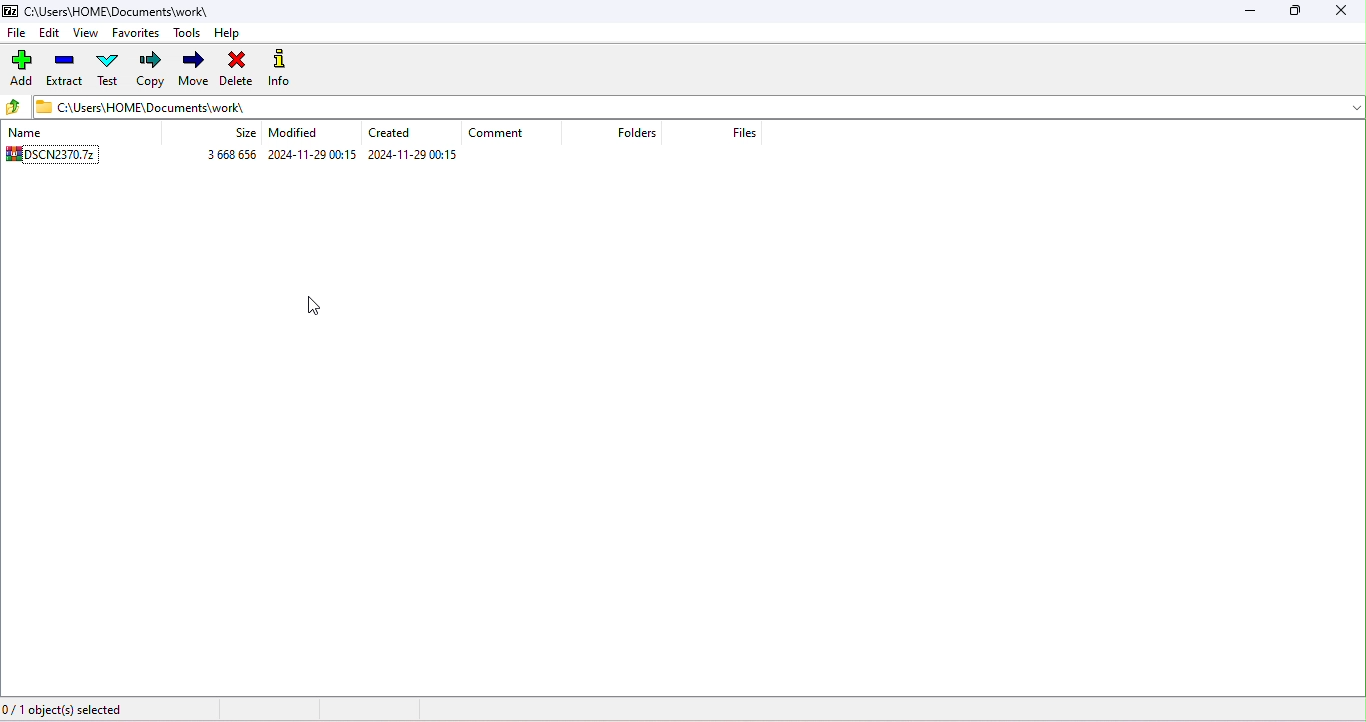 The image size is (1366, 722). Describe the element at coordinates (21, 69) in the screenshot. I see `add` at that location.